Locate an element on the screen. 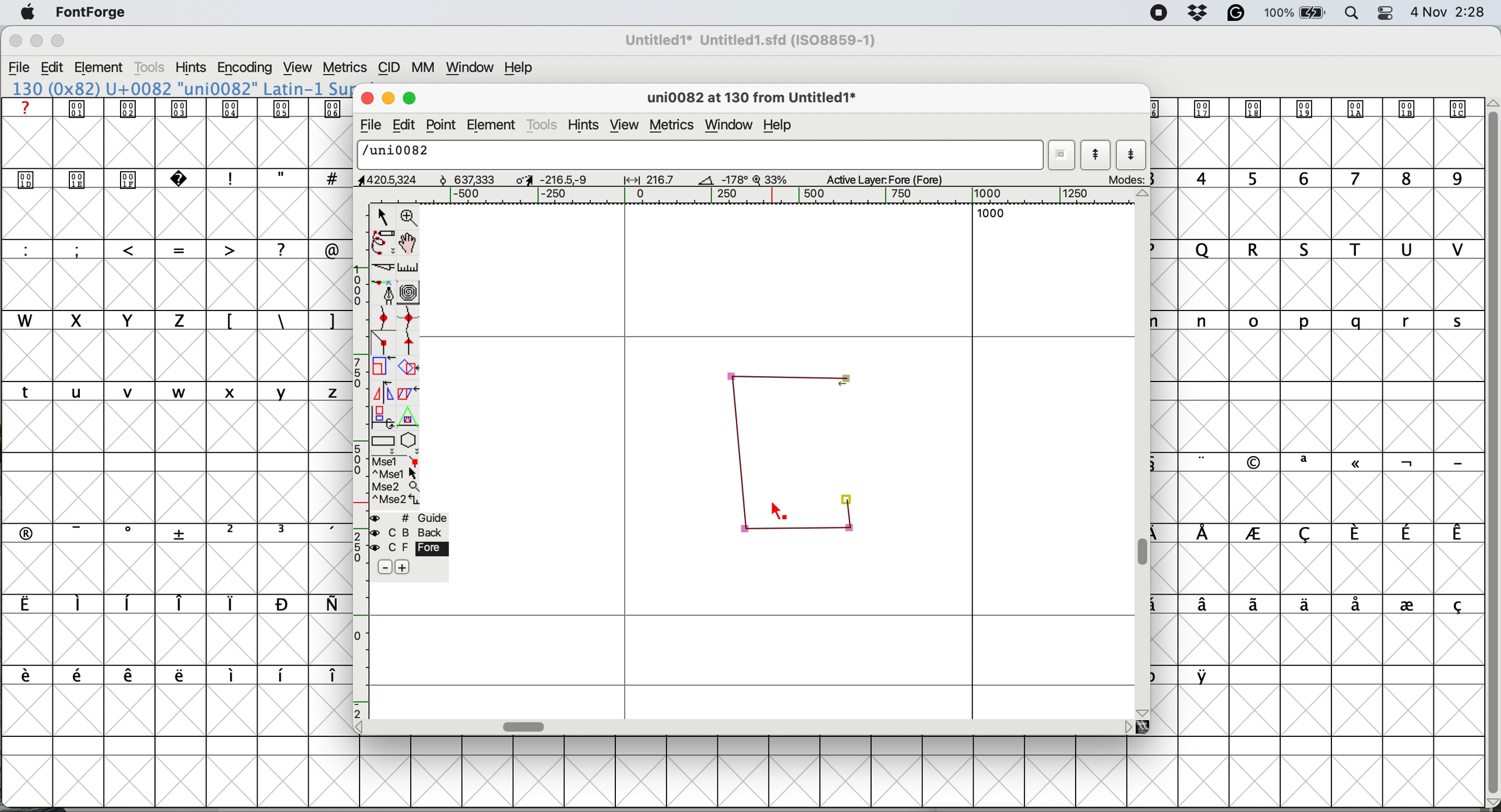 The width and height of the screenshot is (1501, 812). minimise is located at coordinates (36, 41).